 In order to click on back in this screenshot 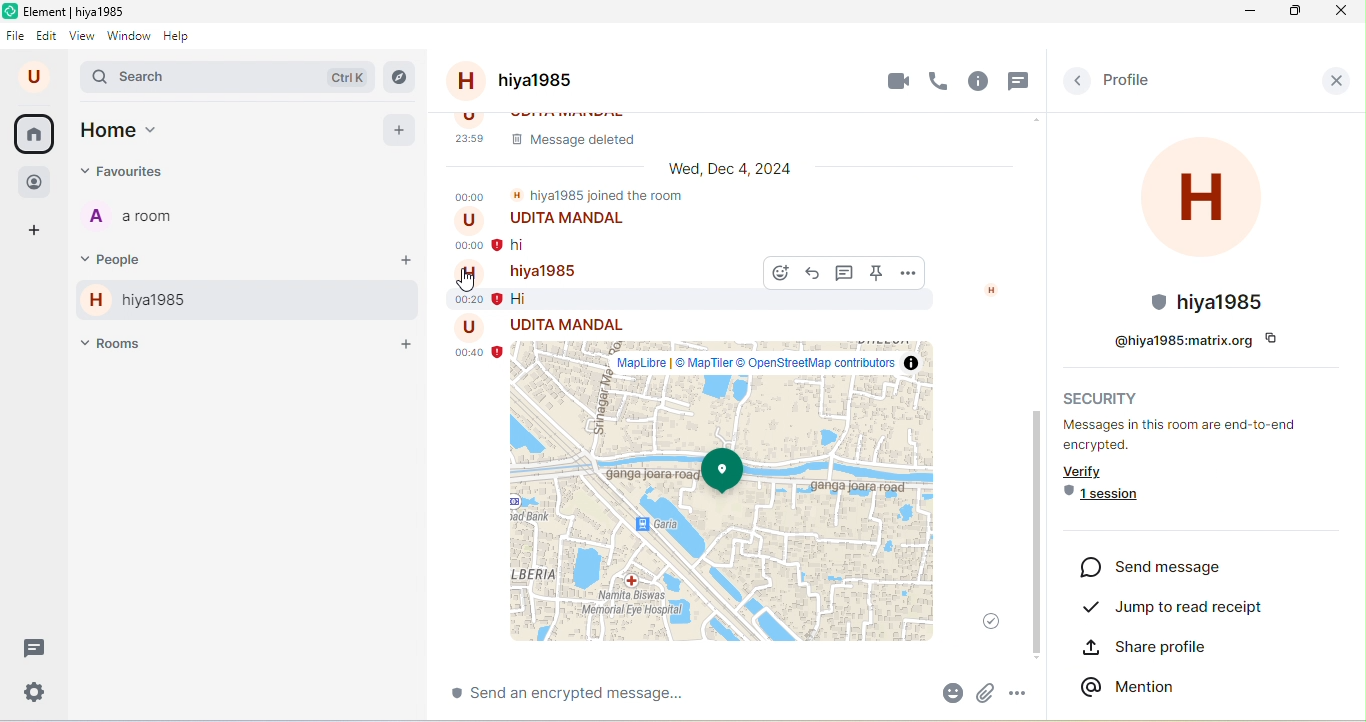, I will do `click(1078, 81)`.